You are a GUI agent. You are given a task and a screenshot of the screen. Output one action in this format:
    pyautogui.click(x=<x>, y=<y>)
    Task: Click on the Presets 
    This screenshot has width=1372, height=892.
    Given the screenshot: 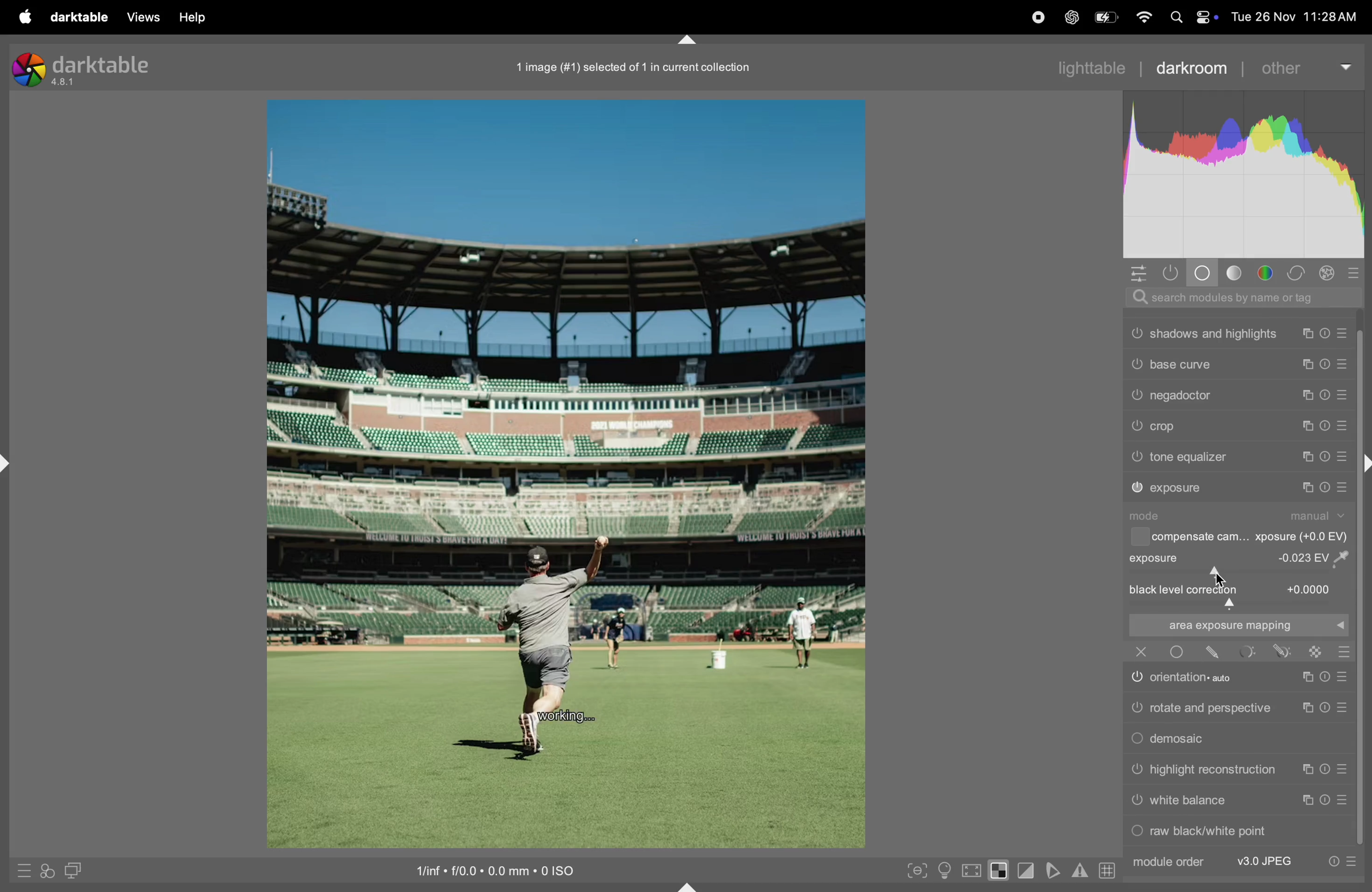 What is the action you would take?
    pyautogui.click(x=1343, y=487)
    